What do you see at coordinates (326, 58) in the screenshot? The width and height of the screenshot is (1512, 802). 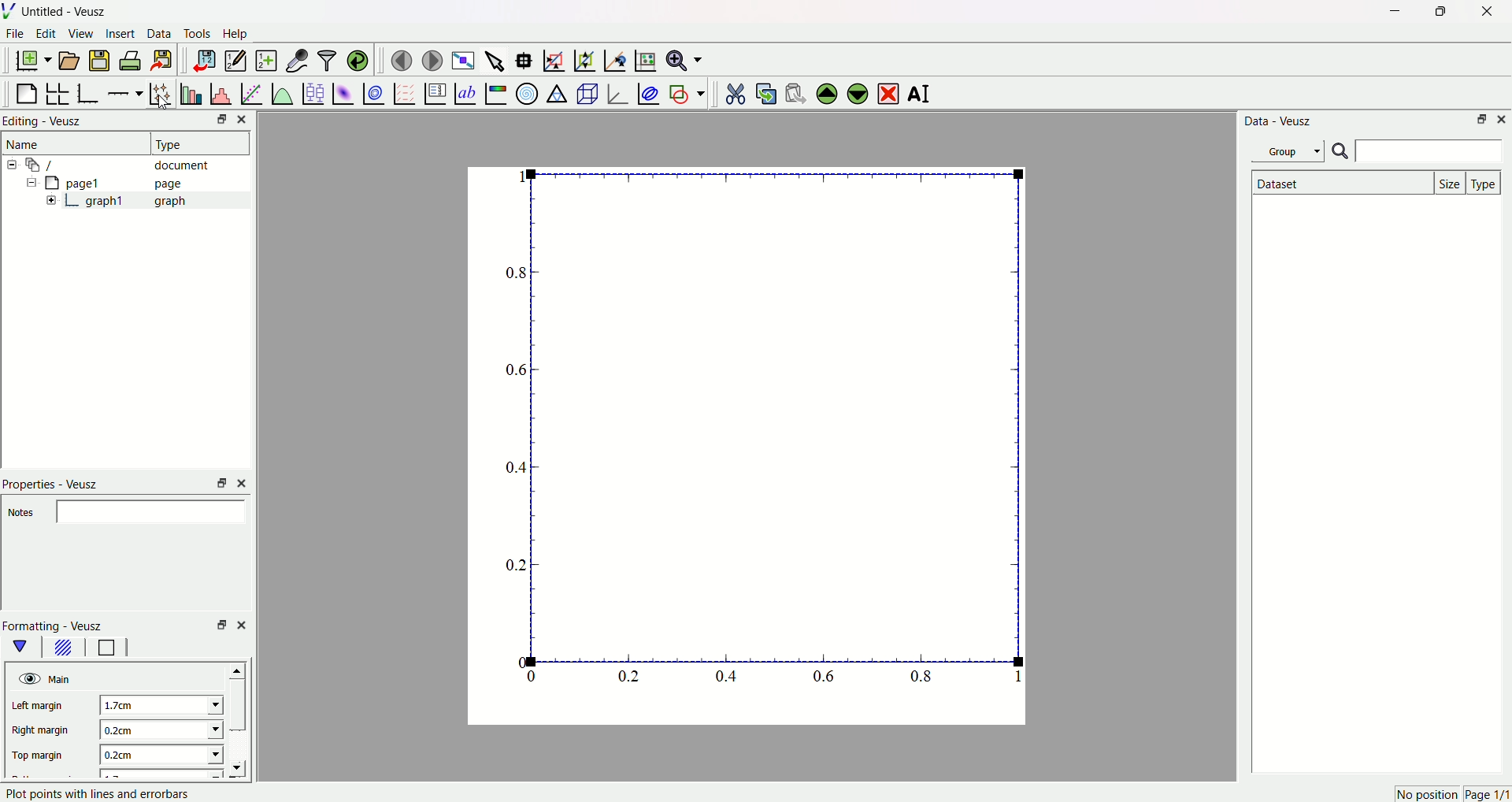 I see `filter data` at bounding box center [326, 58].